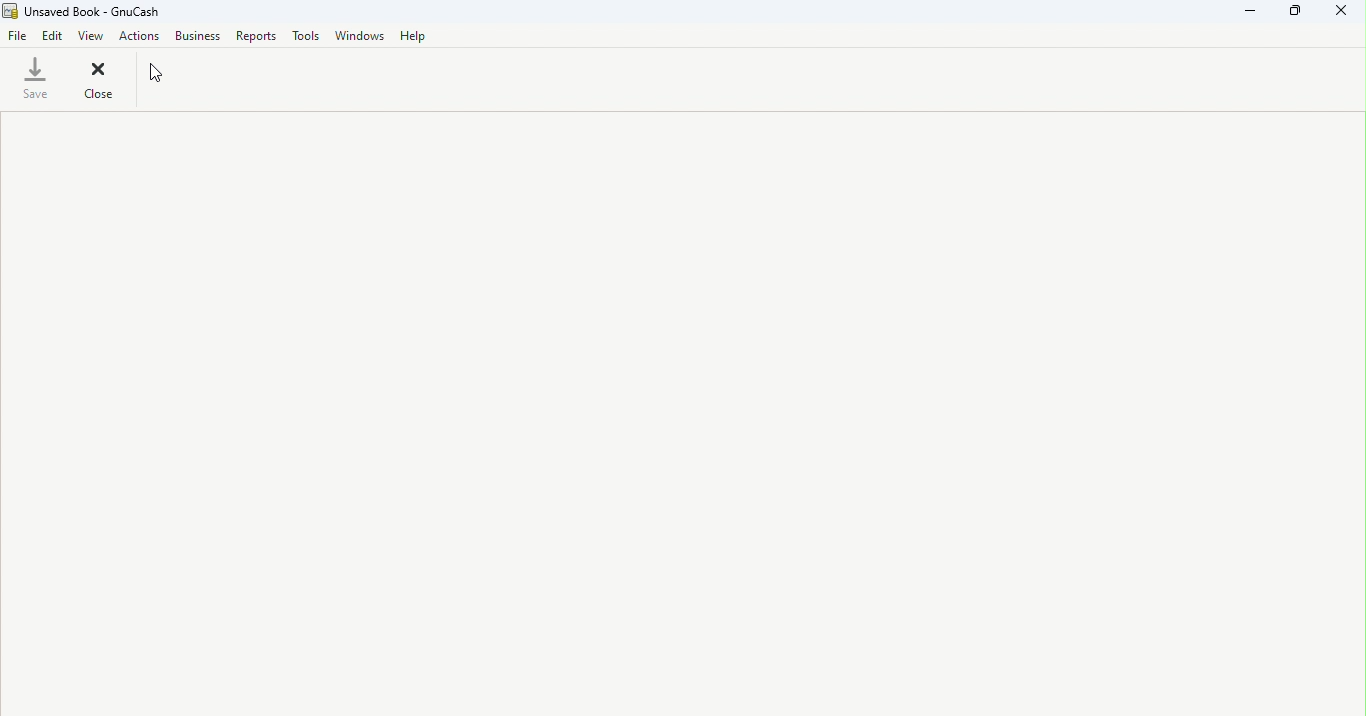 The width and height of the screenshot is (1366, 716). I want to click on Business, so click(200, 37).